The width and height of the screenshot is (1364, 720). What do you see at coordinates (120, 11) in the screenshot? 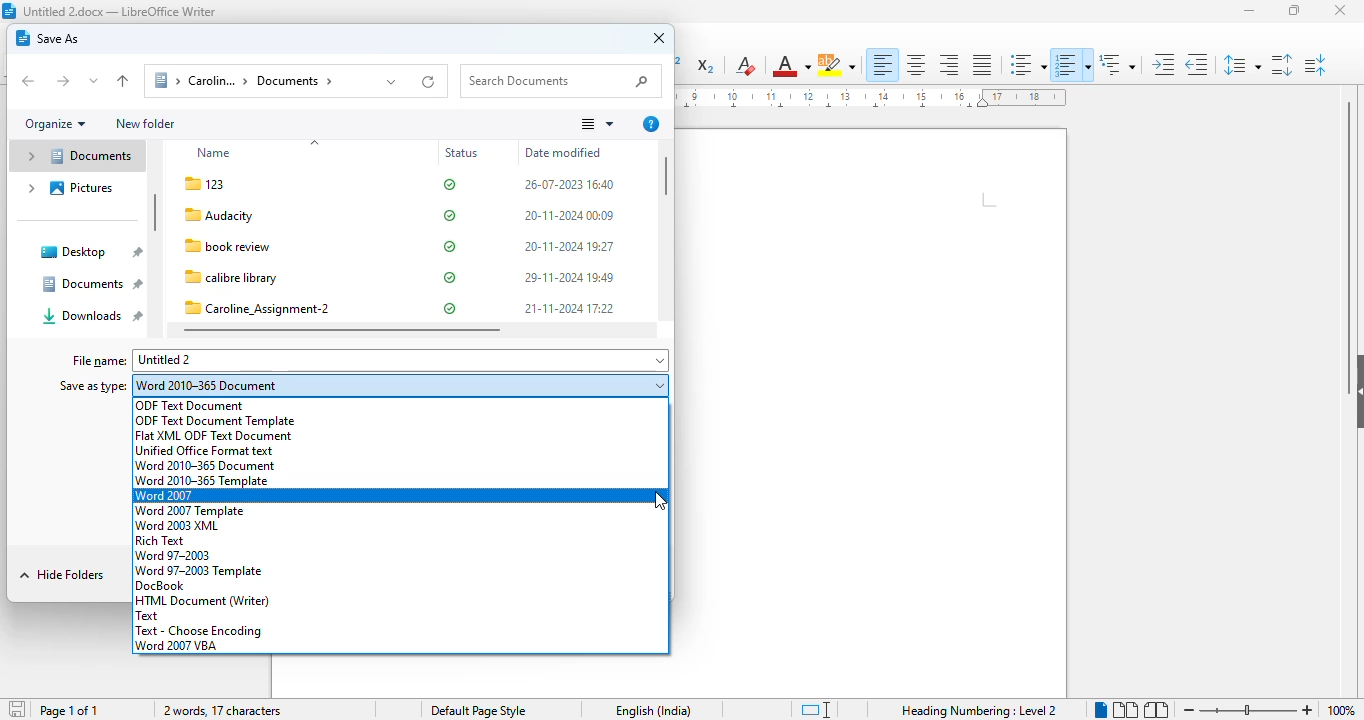
I see `title` at bounding box center [120, 11].